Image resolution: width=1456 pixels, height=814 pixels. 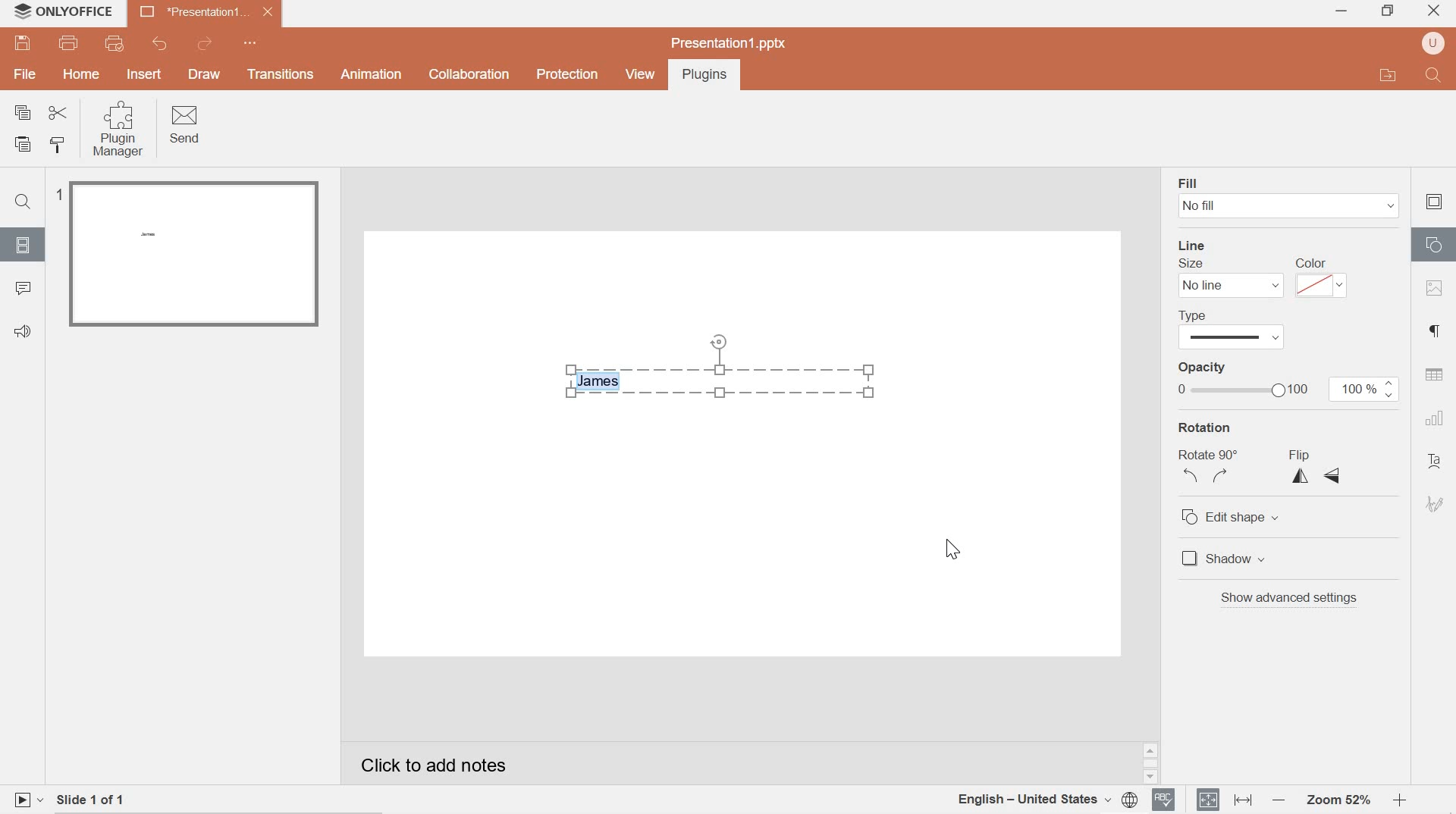 I want to click on play slide, so click(x=27, y=799).